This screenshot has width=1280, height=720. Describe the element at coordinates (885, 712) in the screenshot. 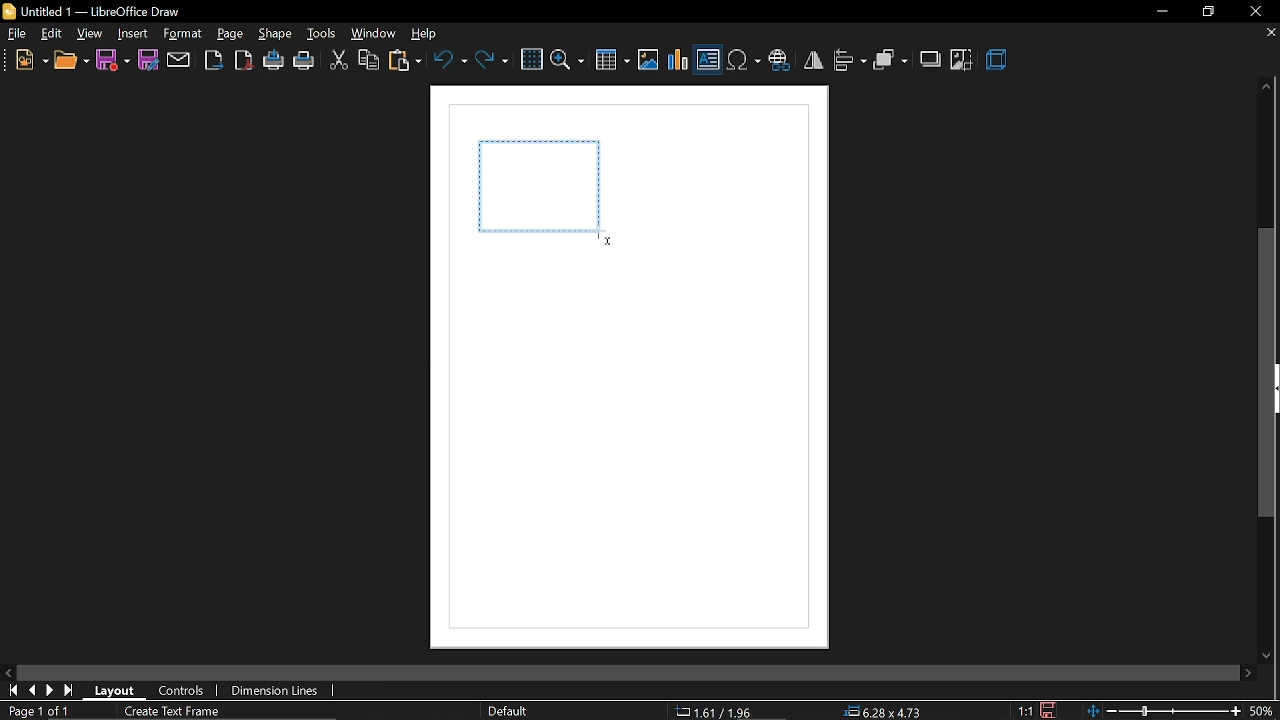

I see `position` at that location.